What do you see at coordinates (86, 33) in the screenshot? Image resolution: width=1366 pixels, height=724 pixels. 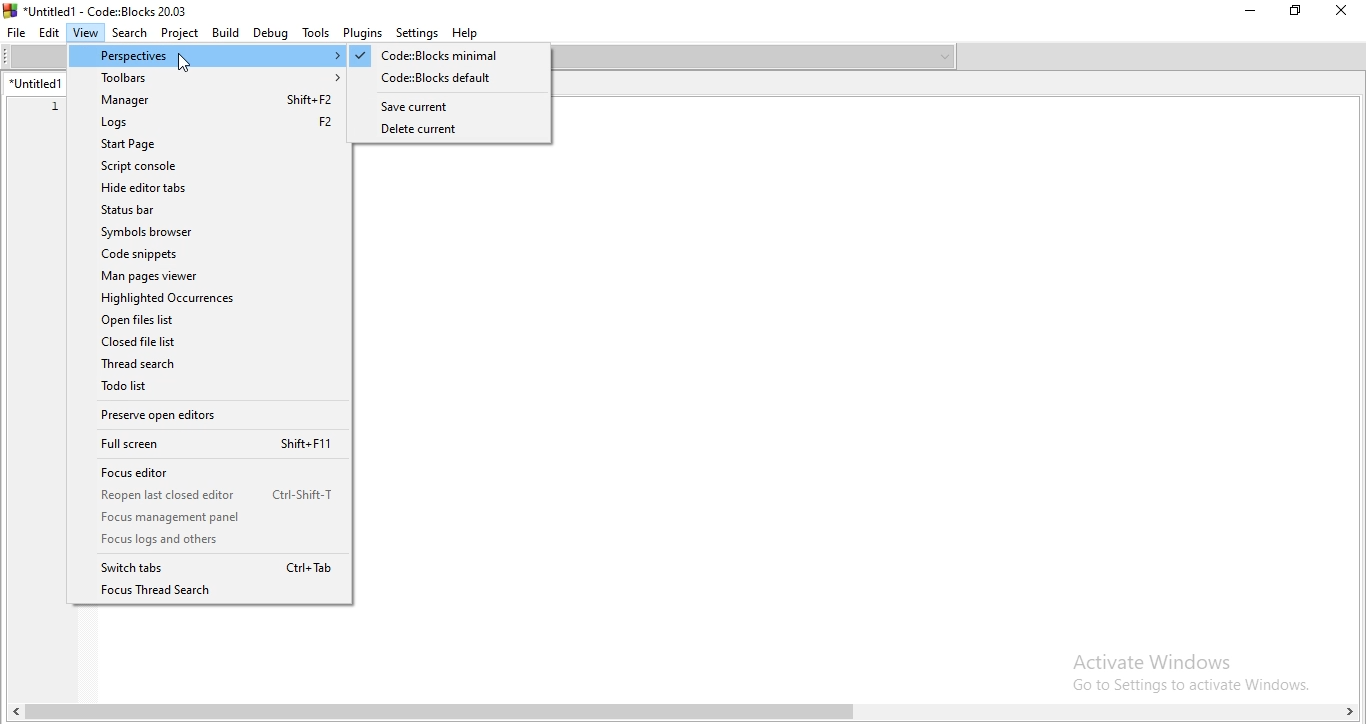 I see `View ` at bounding box center [86, 33].